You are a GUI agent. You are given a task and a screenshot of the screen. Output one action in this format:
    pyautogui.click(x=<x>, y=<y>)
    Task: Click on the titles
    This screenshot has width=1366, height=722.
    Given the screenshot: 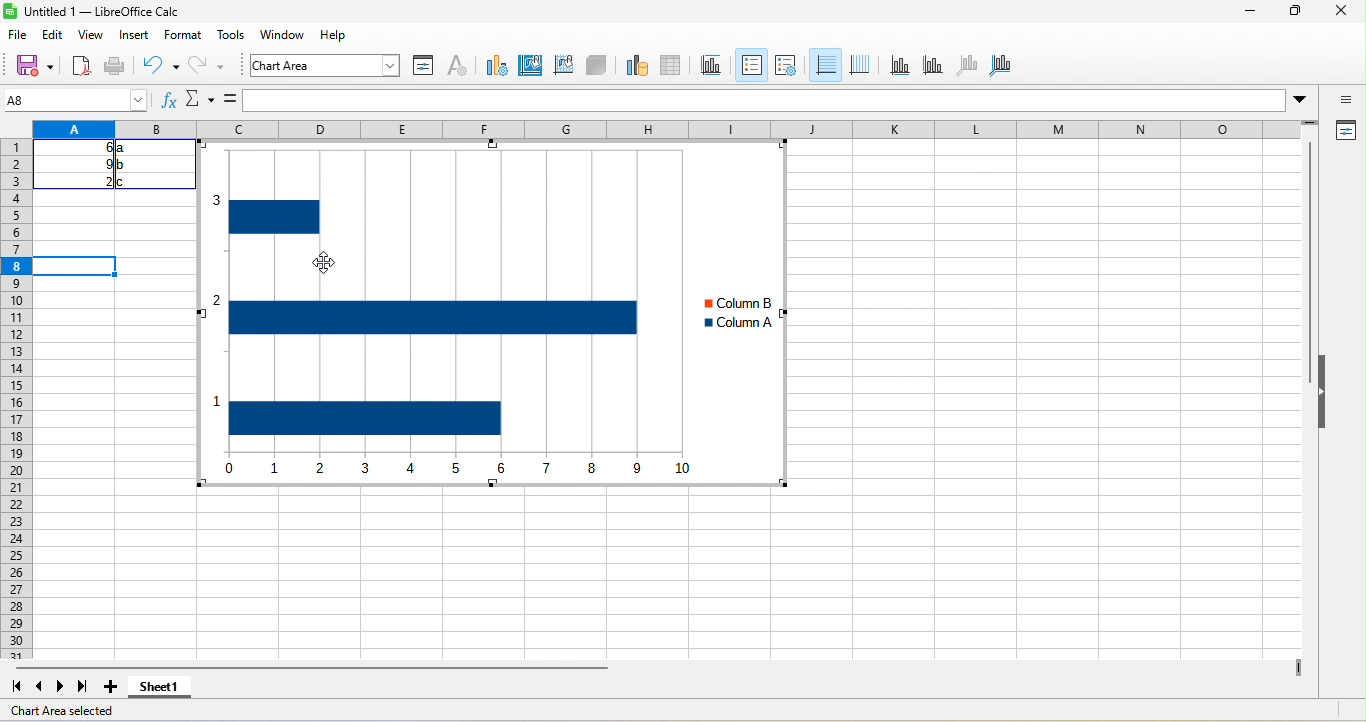 What is the action you would take?
    pyautogui.click(x=711, y=67)
    